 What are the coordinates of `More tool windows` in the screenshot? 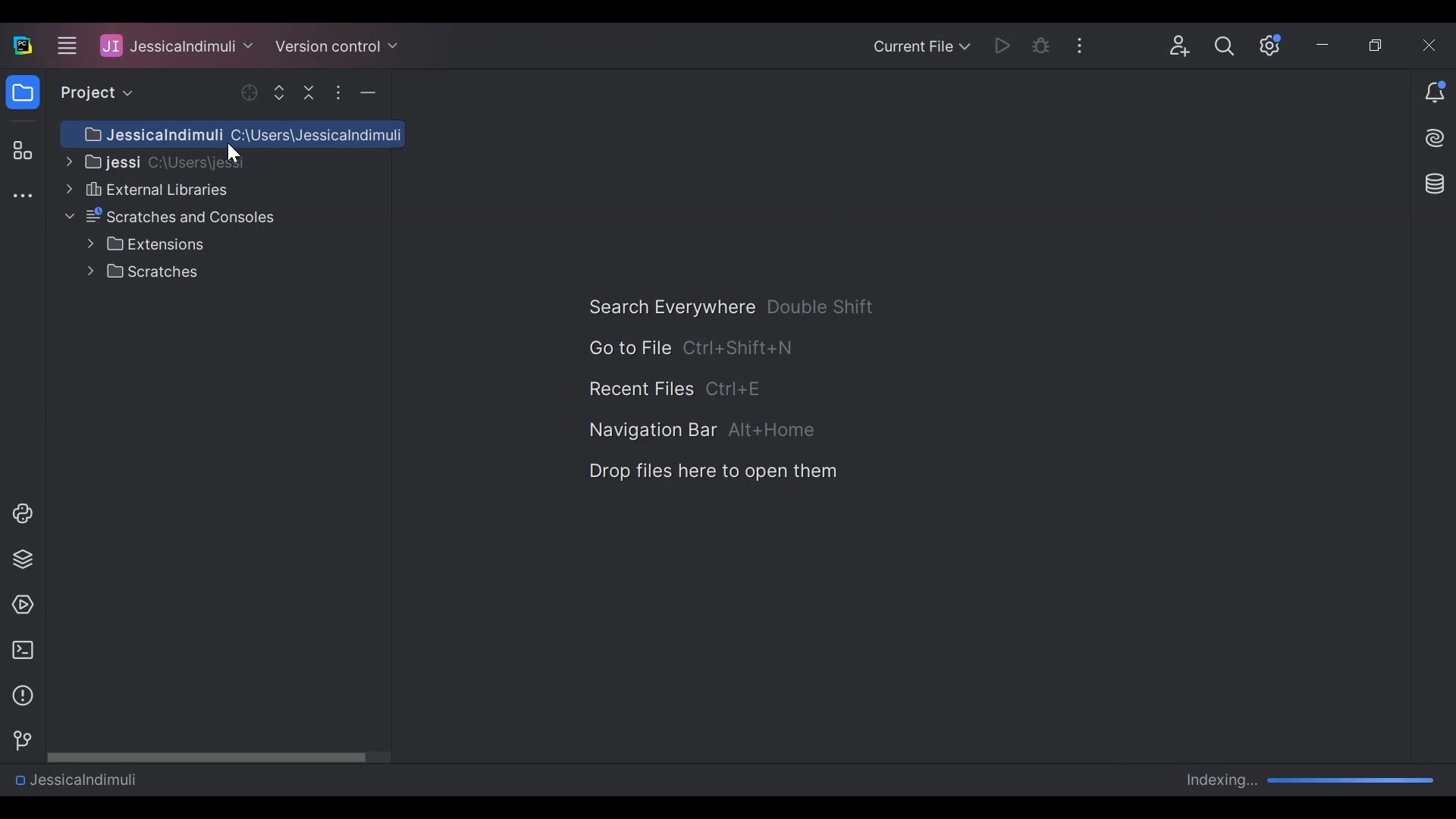 It's located at (22, 197).